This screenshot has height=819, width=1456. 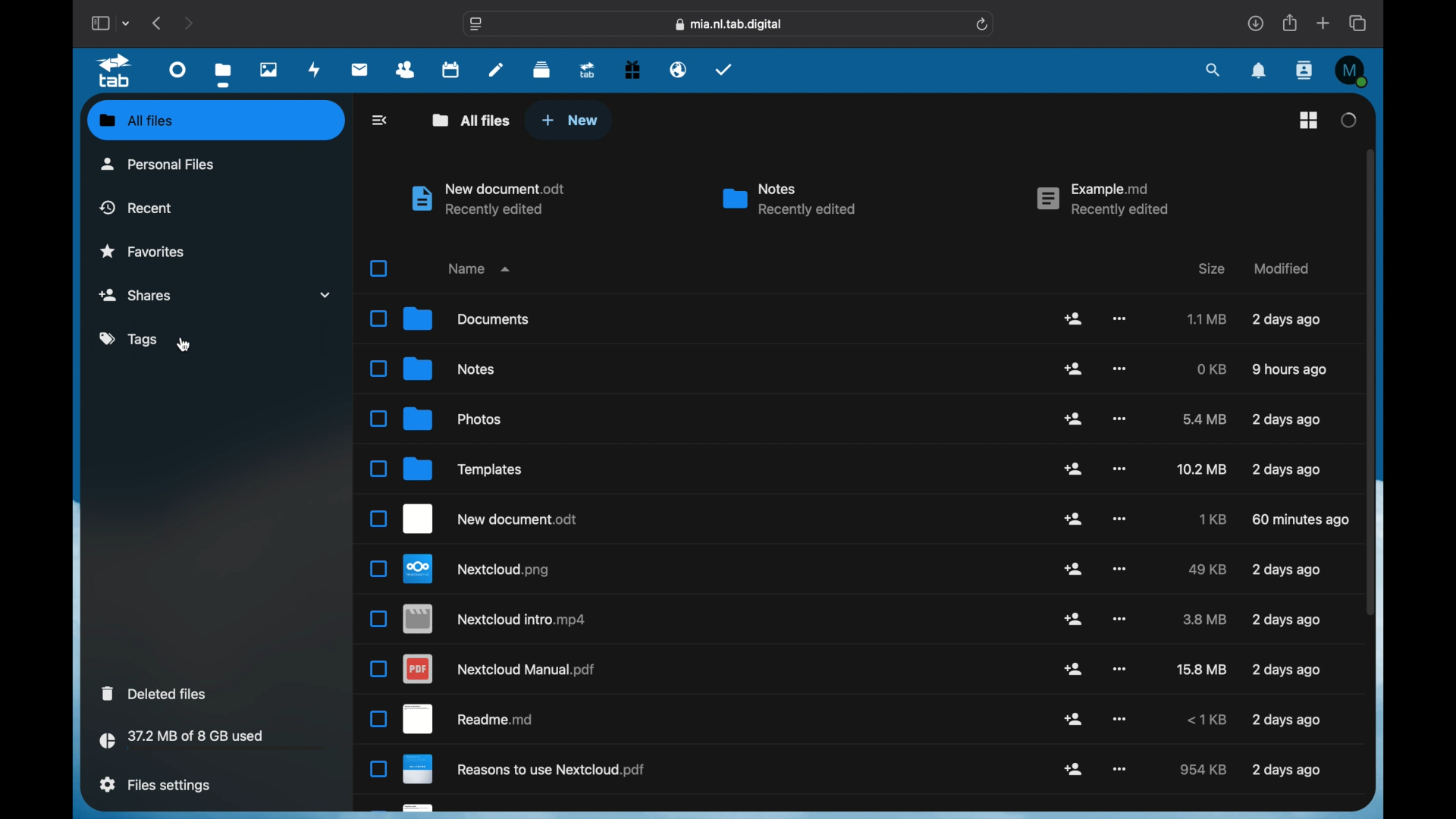 I want to click on deck, so click(x=542, y=68).